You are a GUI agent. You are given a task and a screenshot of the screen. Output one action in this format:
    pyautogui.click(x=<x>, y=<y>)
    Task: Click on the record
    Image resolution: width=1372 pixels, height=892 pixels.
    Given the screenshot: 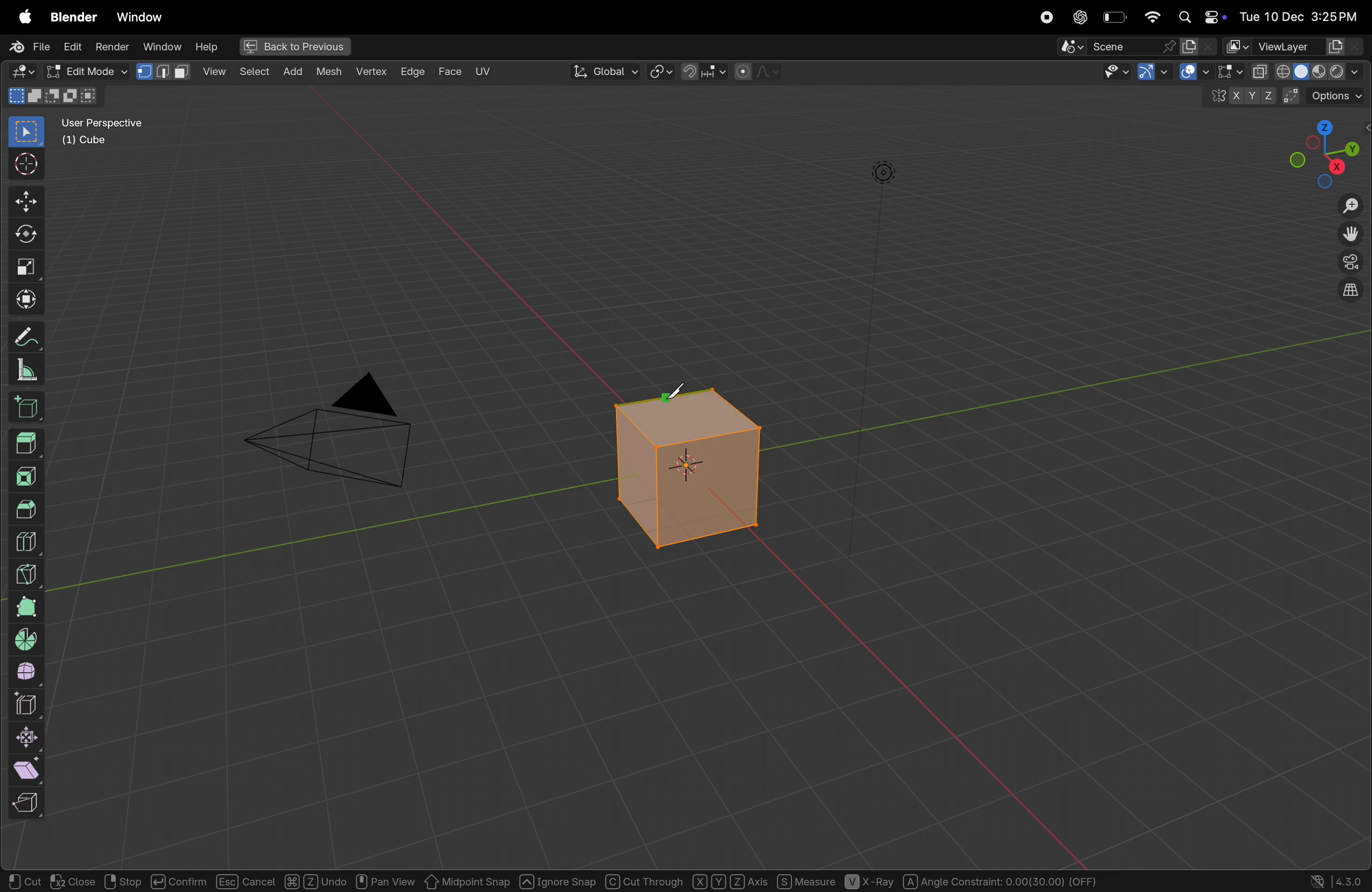 What is the action you would take?
    pyautogui.click(x=1047, y=17)
    